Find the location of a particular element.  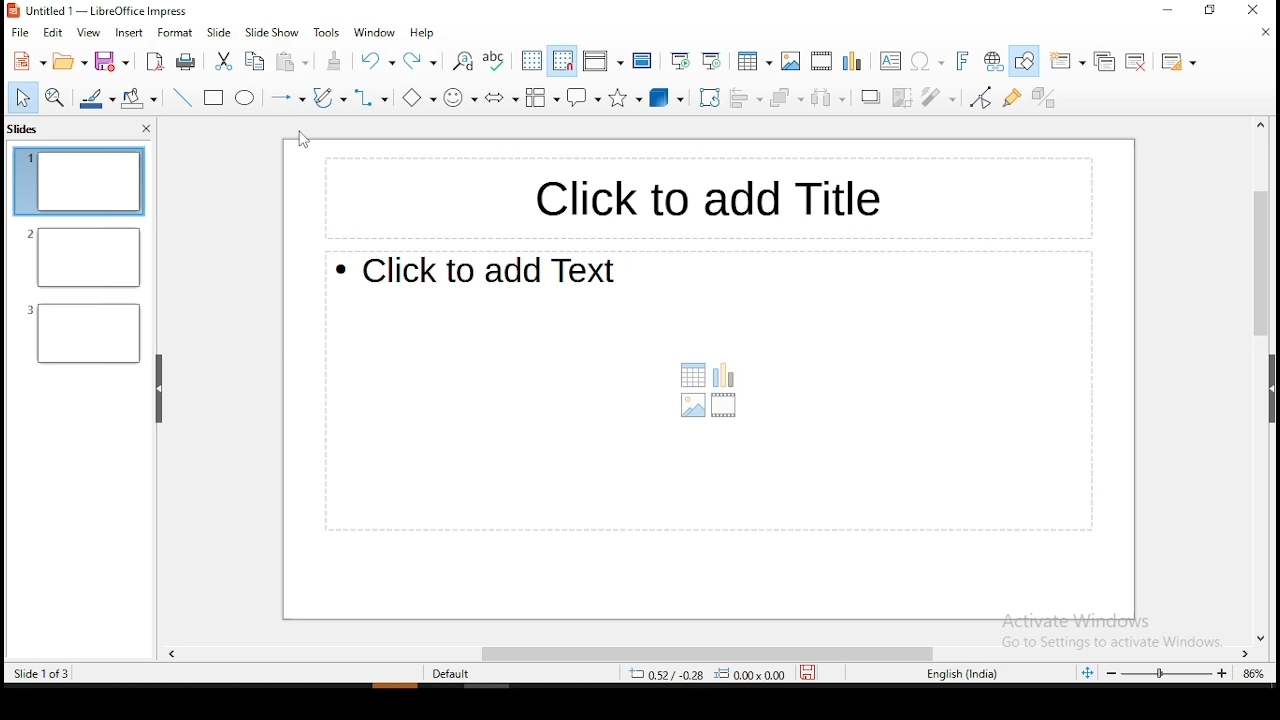

print is located at coordinates (185, 61).